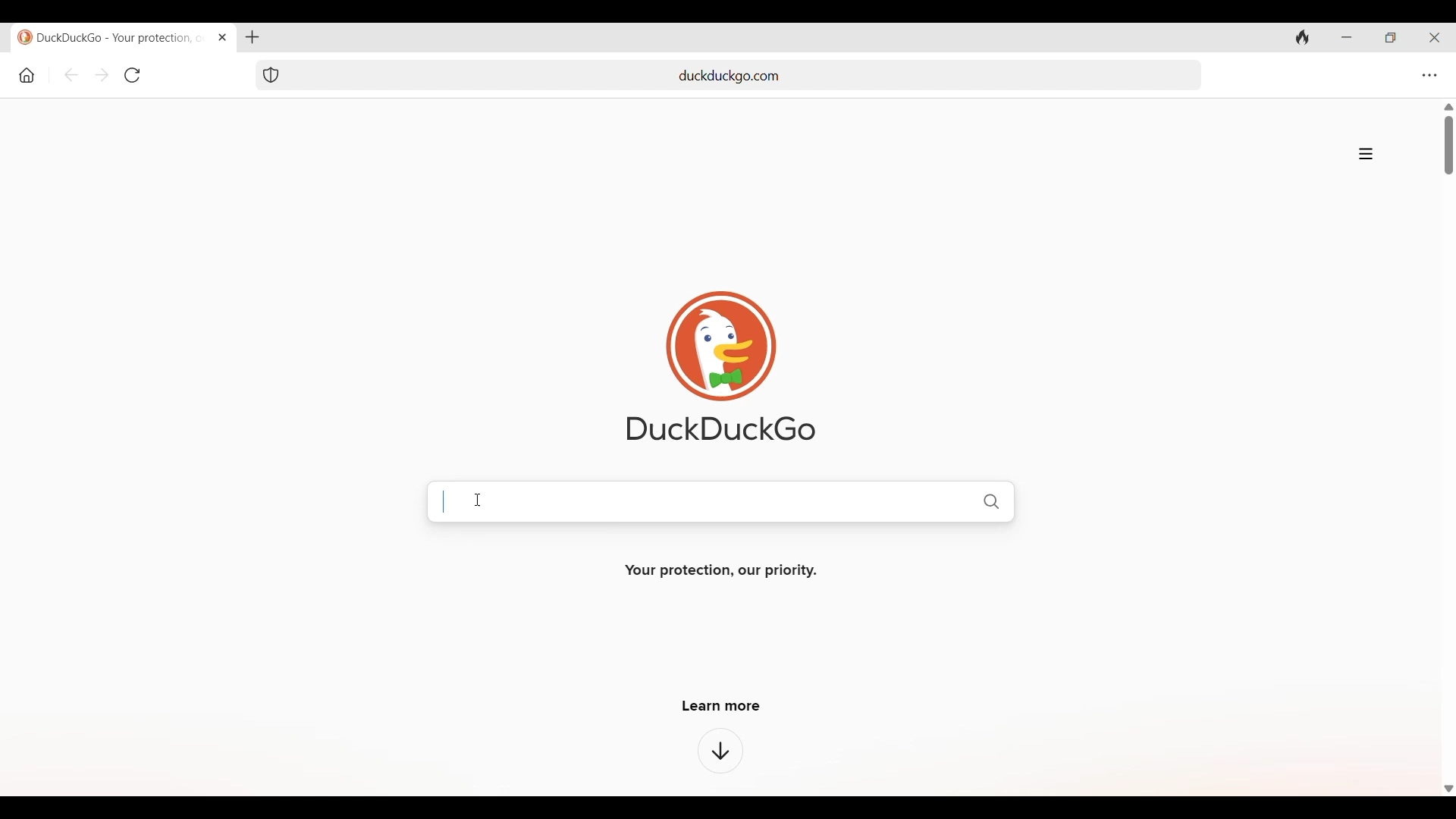 The image size is (1456, 819). Describe the element at coordinates (1448, 107) in the screenshot. I see `Quick slide to top` at that location.